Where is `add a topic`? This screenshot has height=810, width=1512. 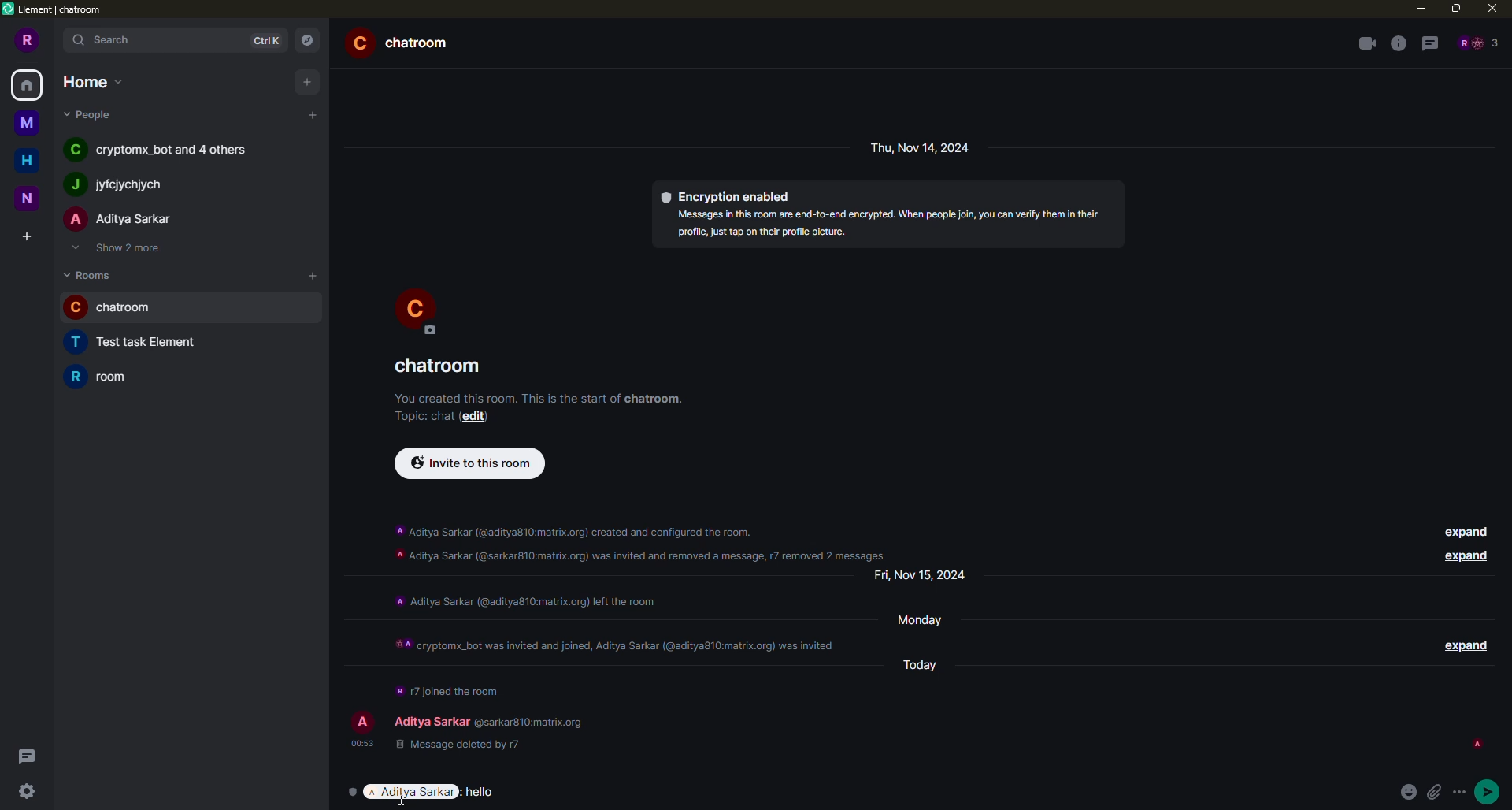 add a topic is located at coordinates (419, 415).